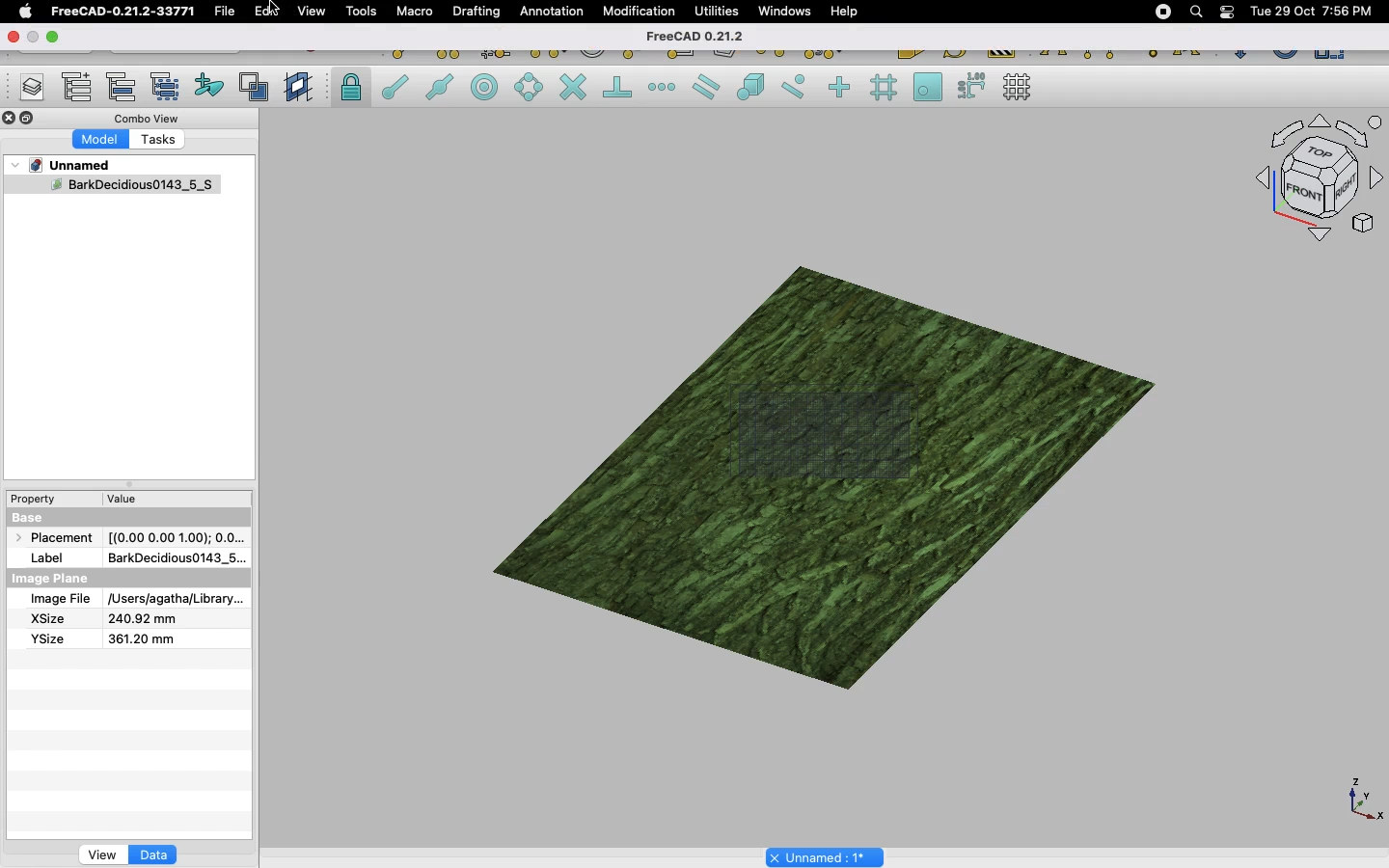  I want to click on Object selected, so click(813, 462).